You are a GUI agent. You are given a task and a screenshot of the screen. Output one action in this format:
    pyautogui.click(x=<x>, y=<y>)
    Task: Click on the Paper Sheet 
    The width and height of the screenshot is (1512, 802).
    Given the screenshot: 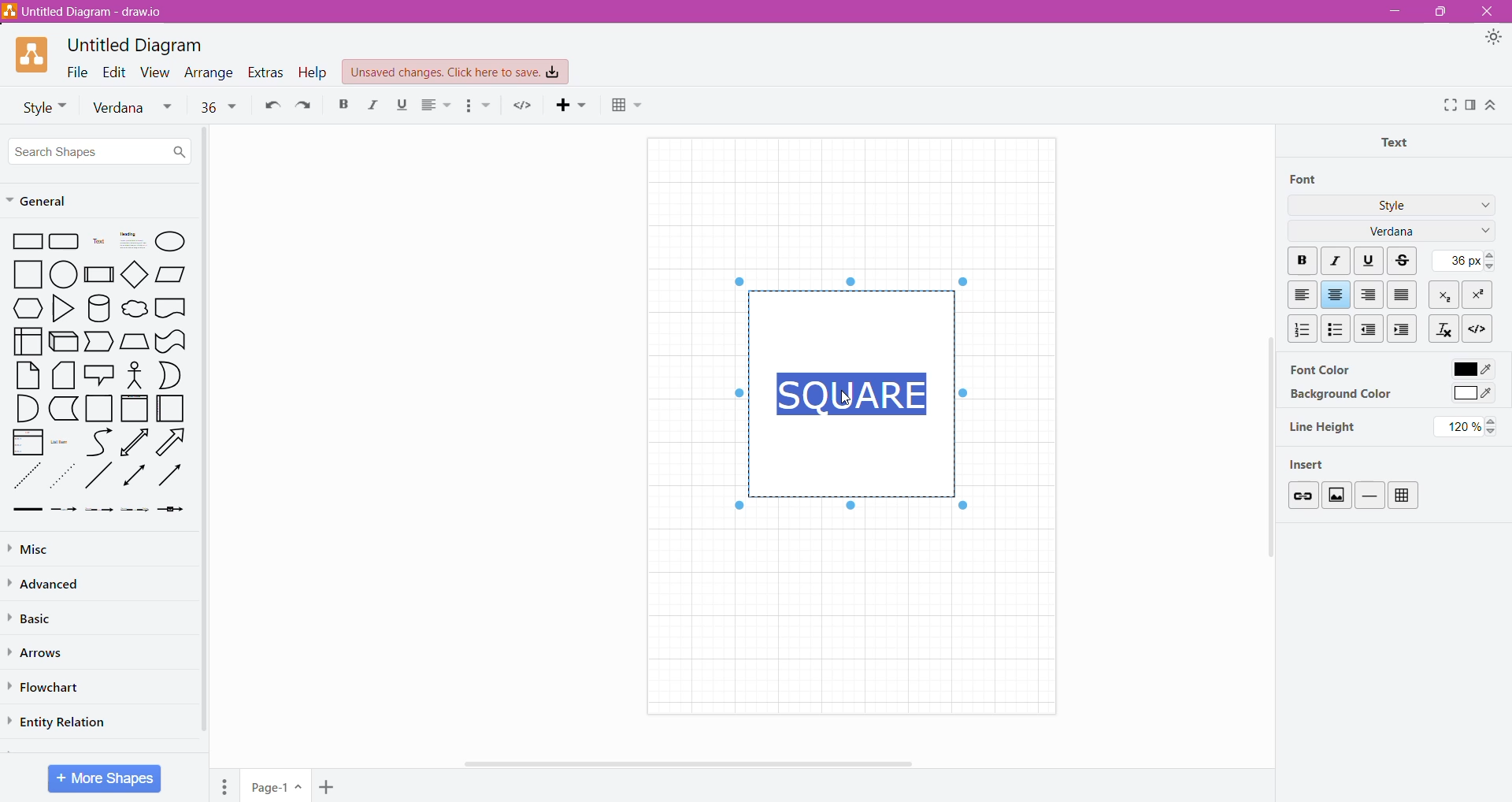 What is the action you would take?
    pyautogui.click(x=28, y=375)
    